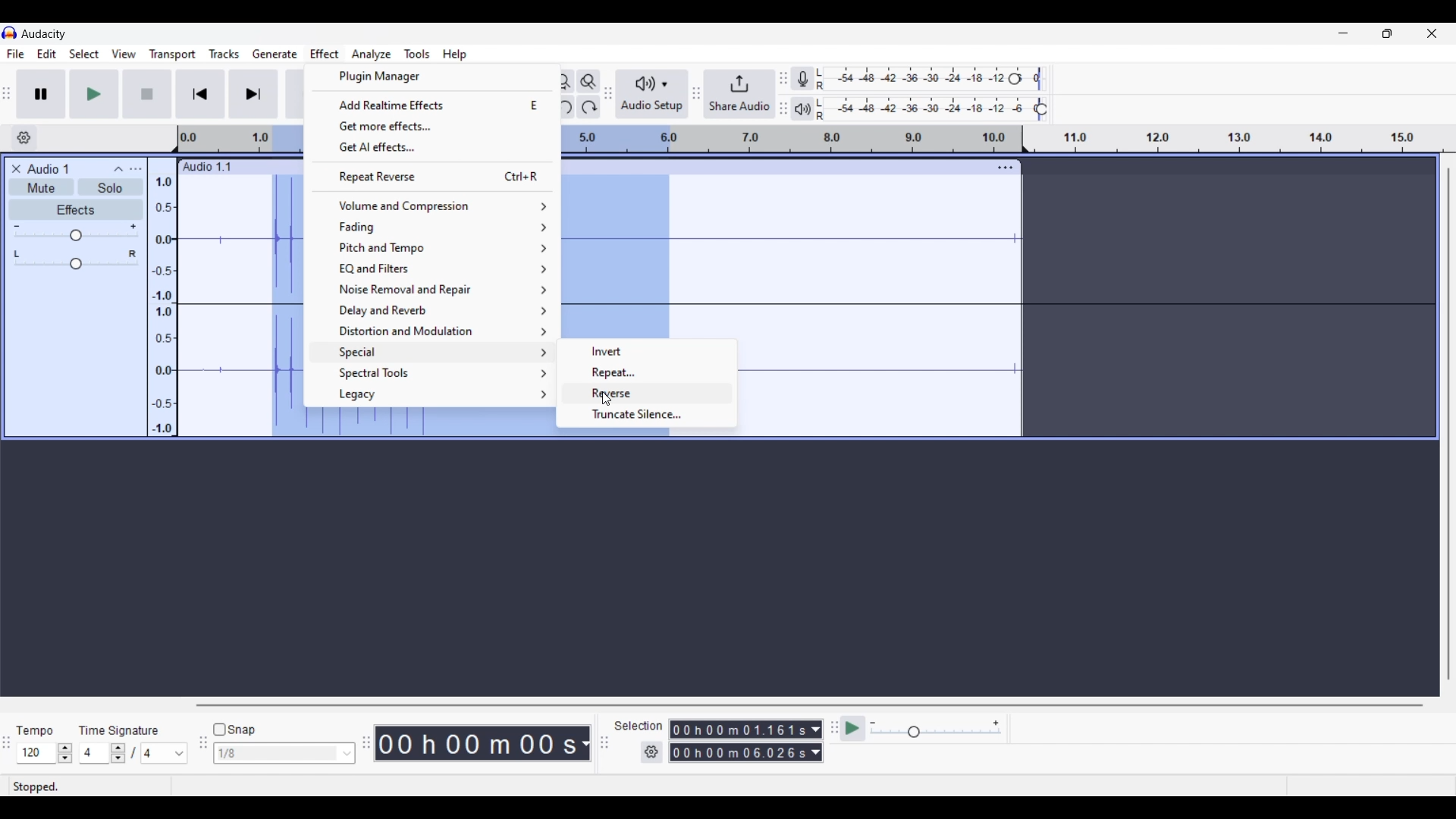 The image size is (1456, 819). I want to click on Edit menu, so click(47, 53).